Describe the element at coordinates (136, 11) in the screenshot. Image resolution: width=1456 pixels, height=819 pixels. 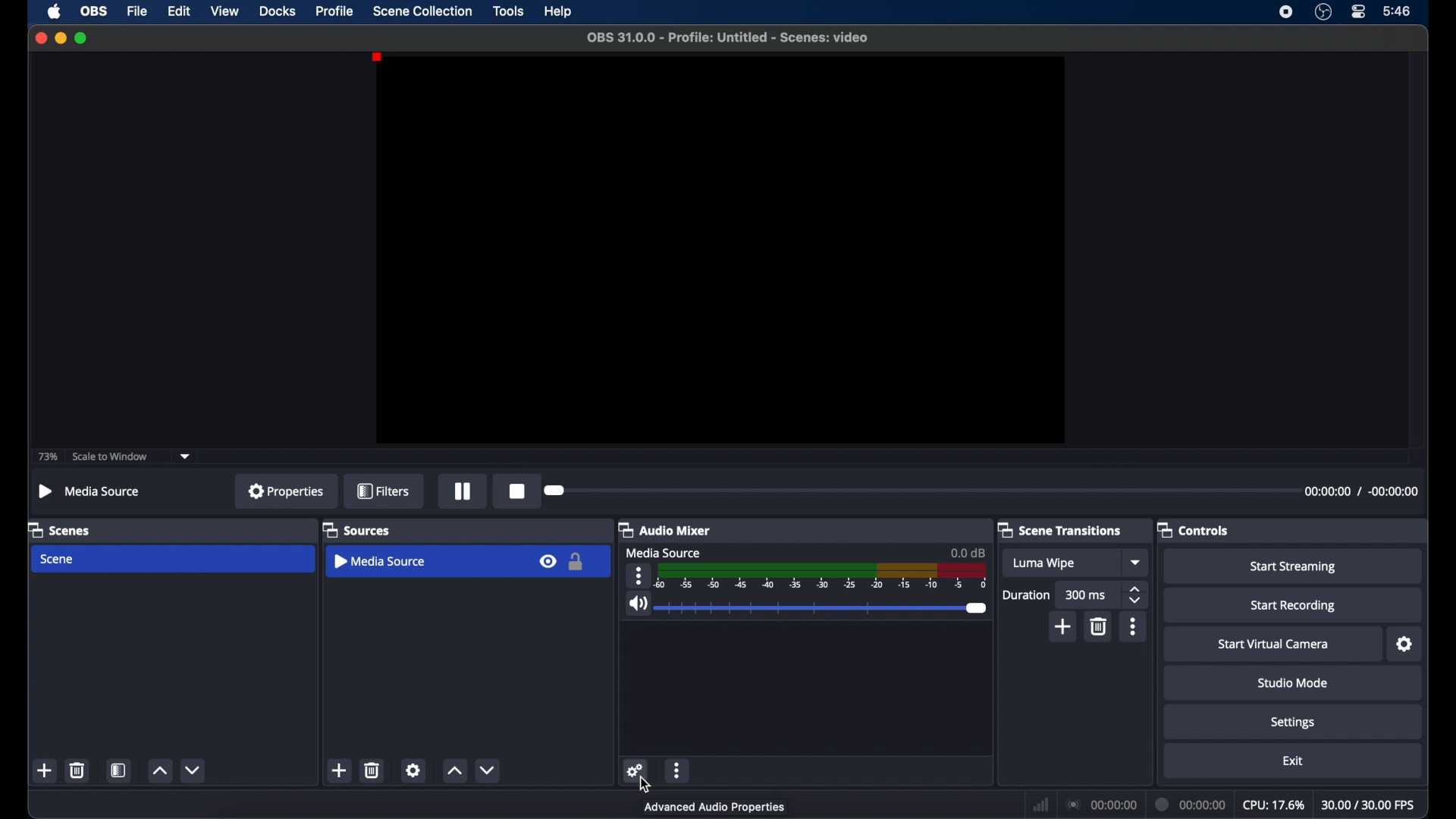
I see `file` at that location.